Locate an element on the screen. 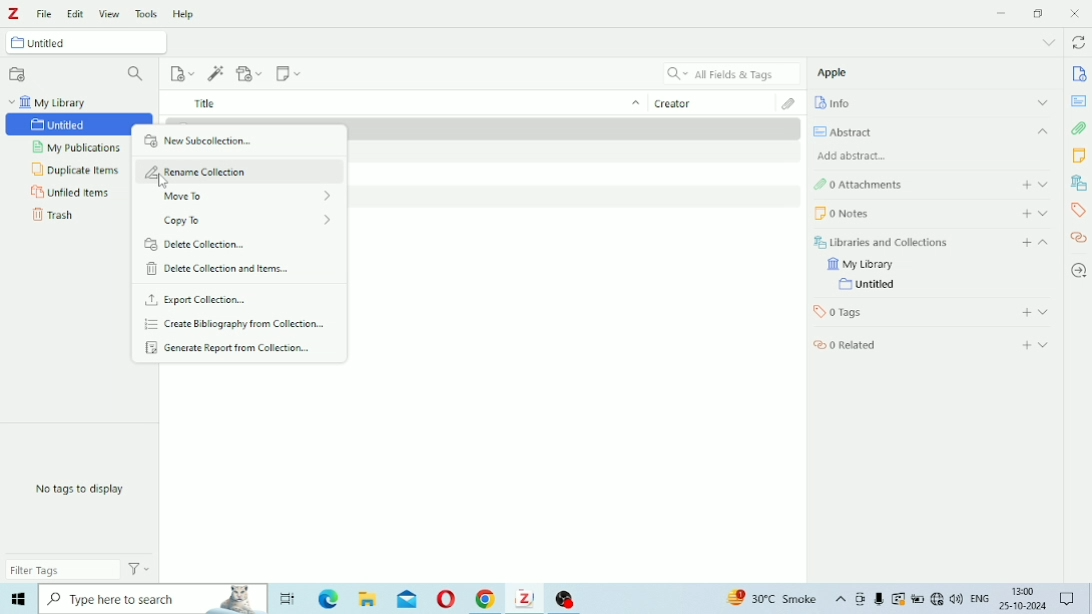  Info is located at coordinates (1080, 75).